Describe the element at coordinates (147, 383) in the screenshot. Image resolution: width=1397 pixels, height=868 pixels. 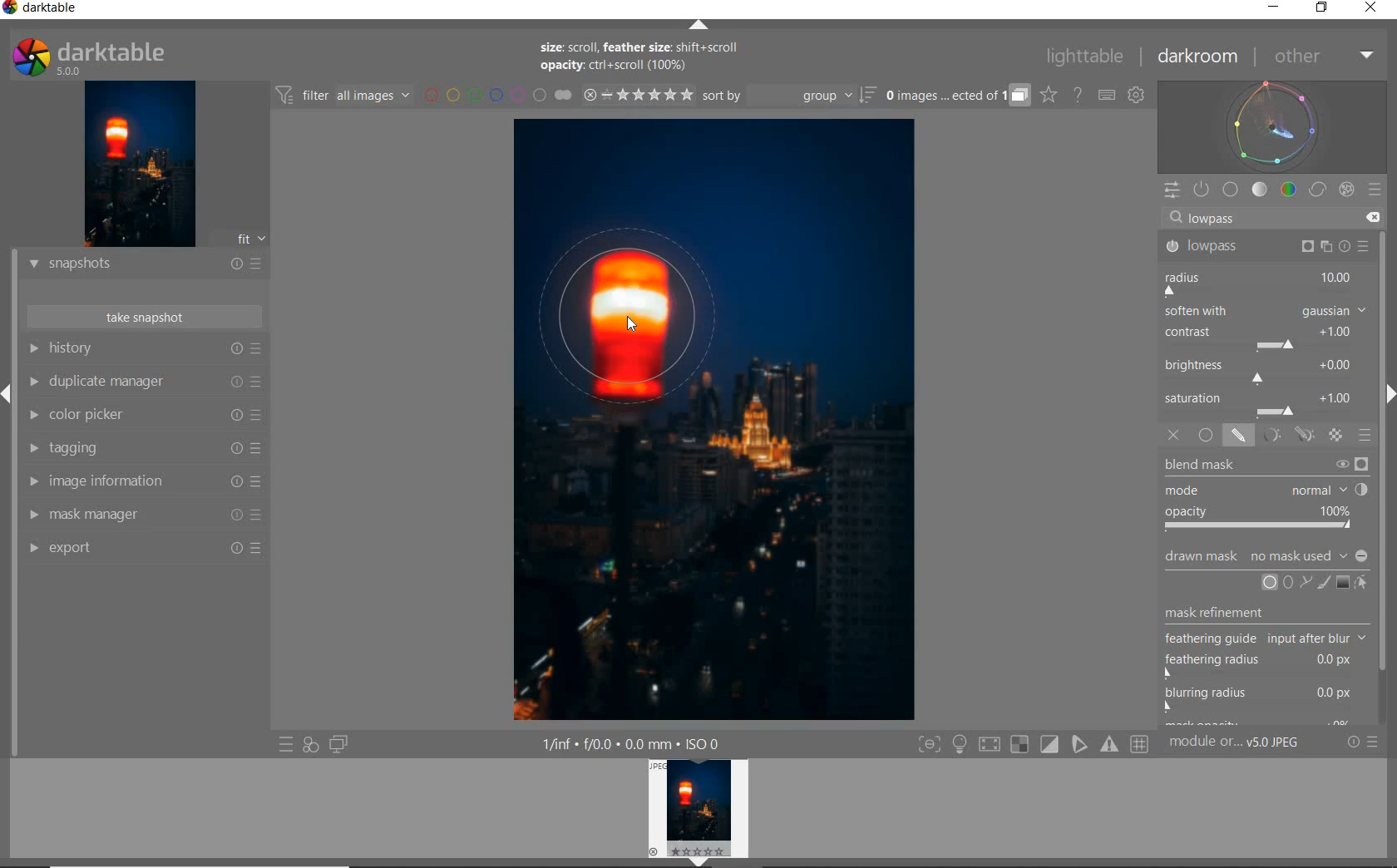
I see `DUPLICATE MANAGER` at that location.